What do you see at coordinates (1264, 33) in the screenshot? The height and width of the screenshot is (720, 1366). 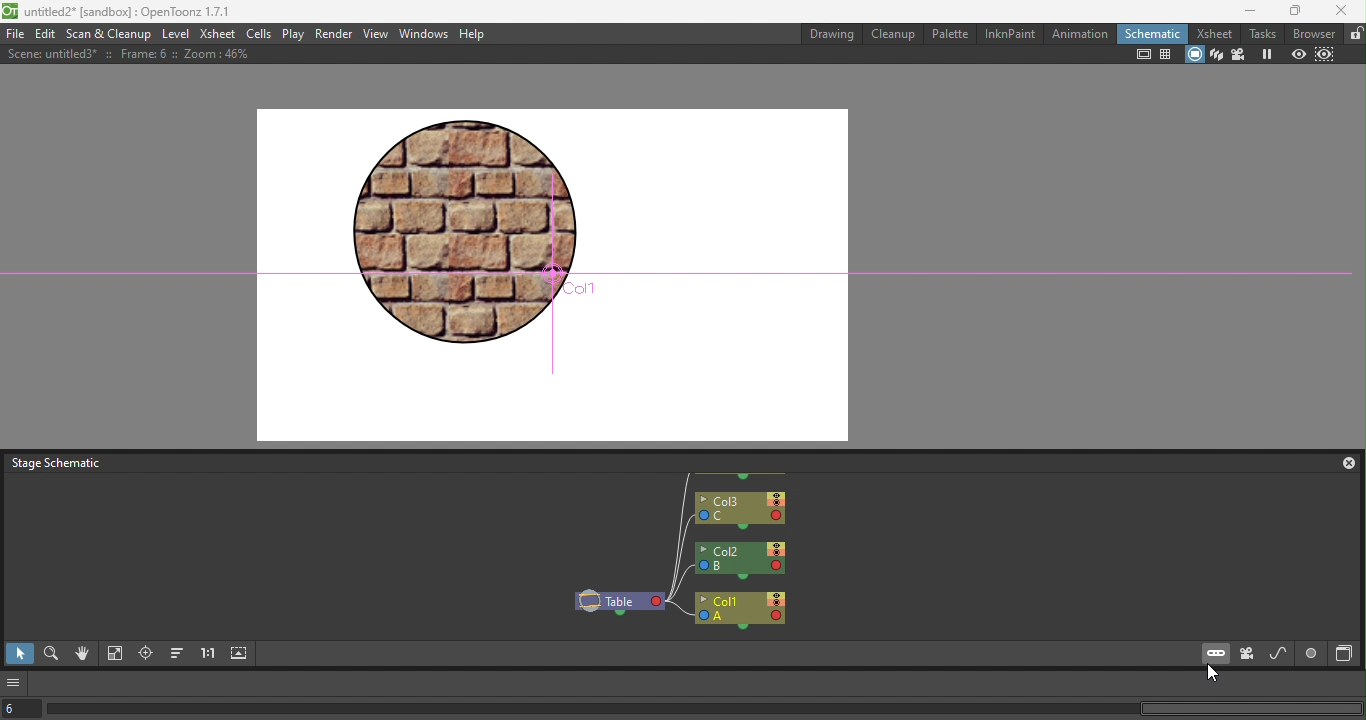 I see `Tasks` at bounding box center [1264, 33].